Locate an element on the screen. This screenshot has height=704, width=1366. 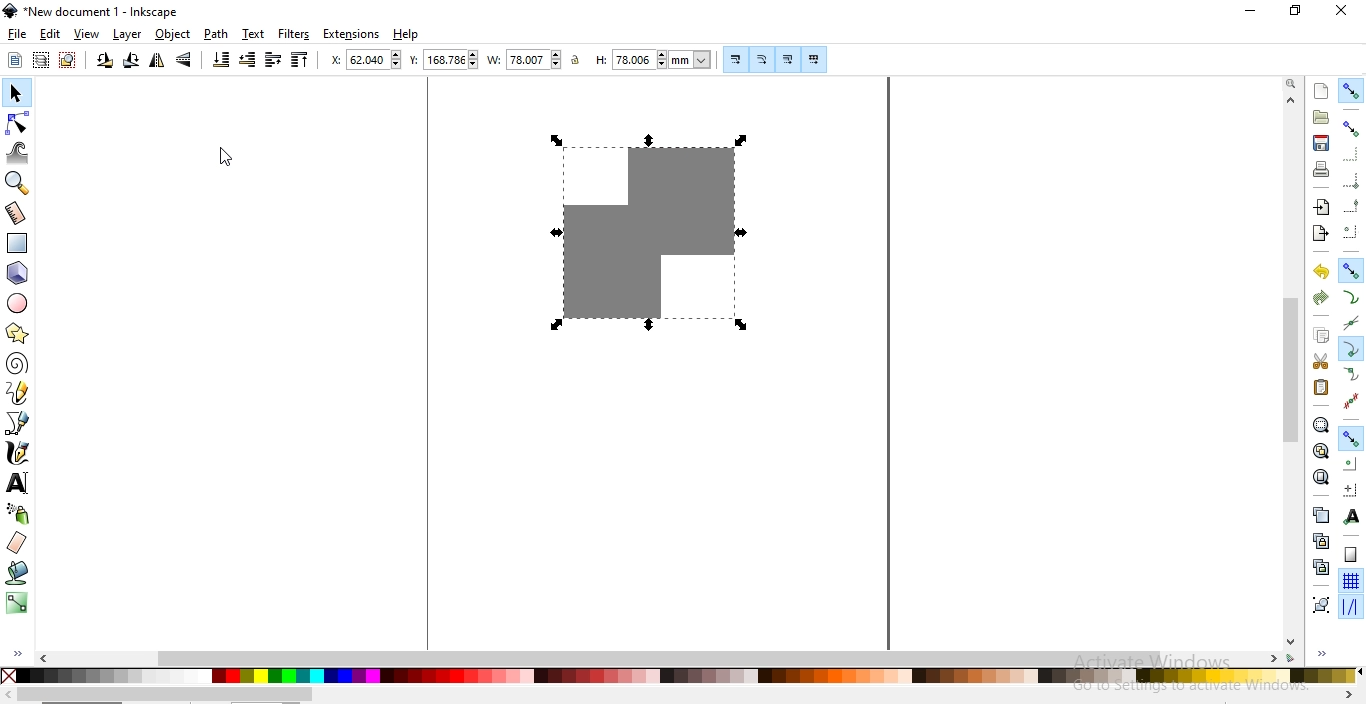
filters is located at coordinates (293, 35).